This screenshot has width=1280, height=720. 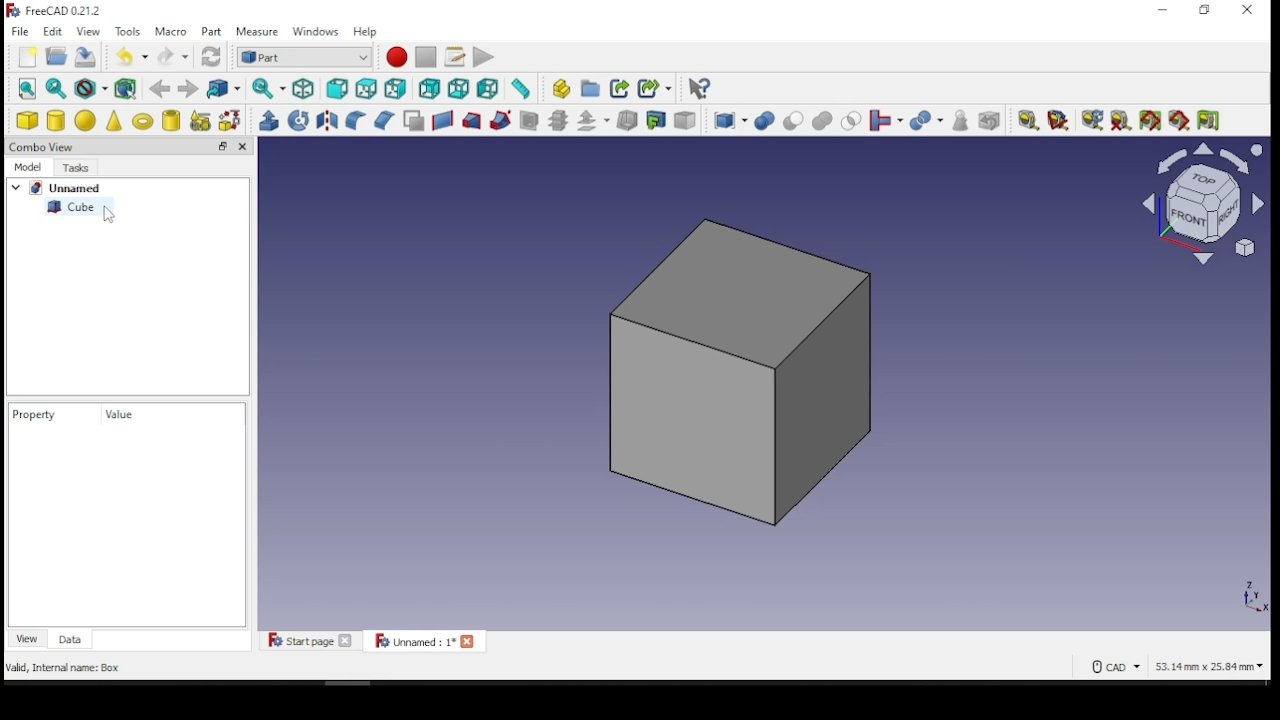 I want to click on draw style, so click(x=92, y=89).